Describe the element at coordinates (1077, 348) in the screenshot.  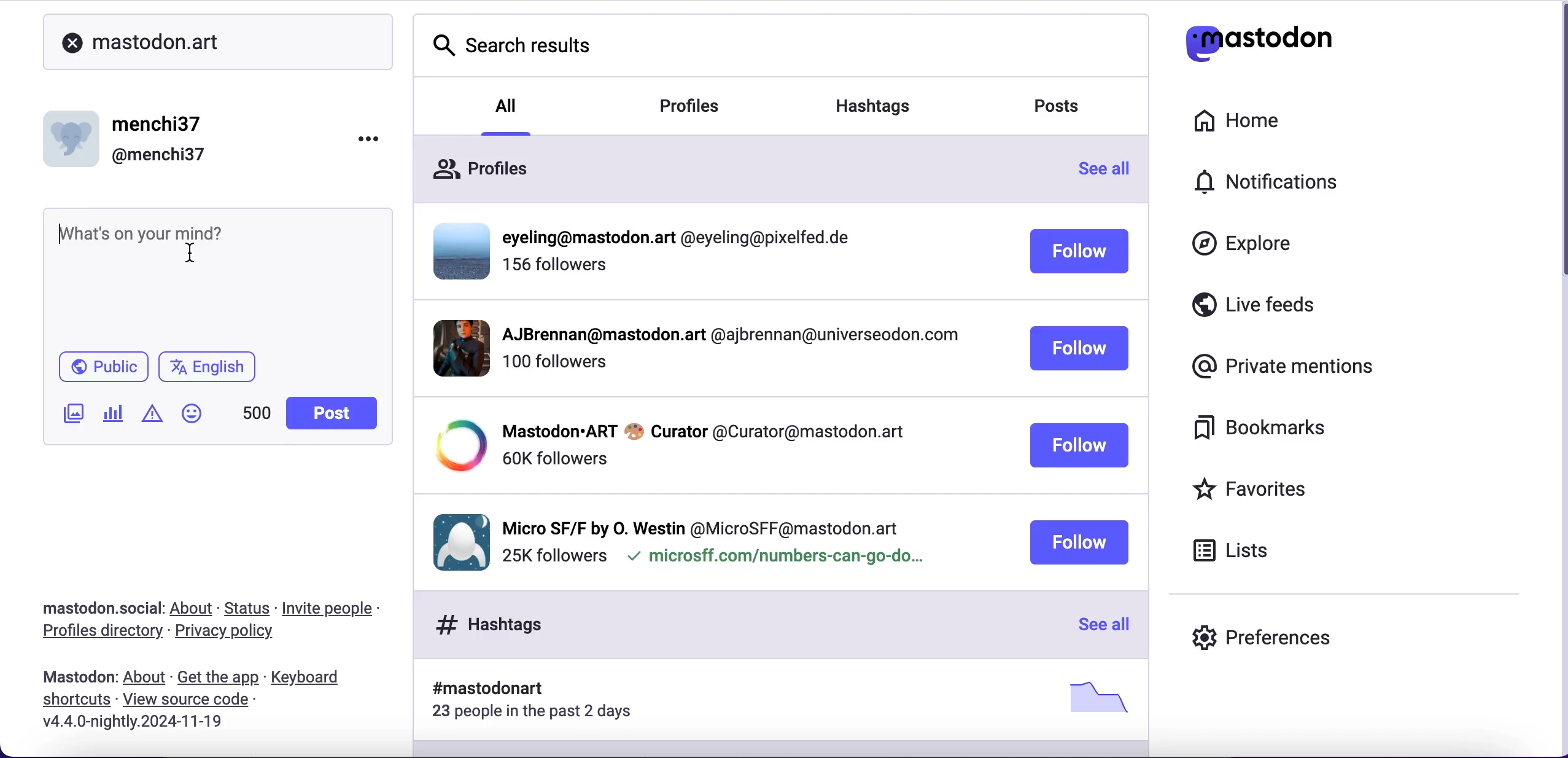
I see `follow` at that location.